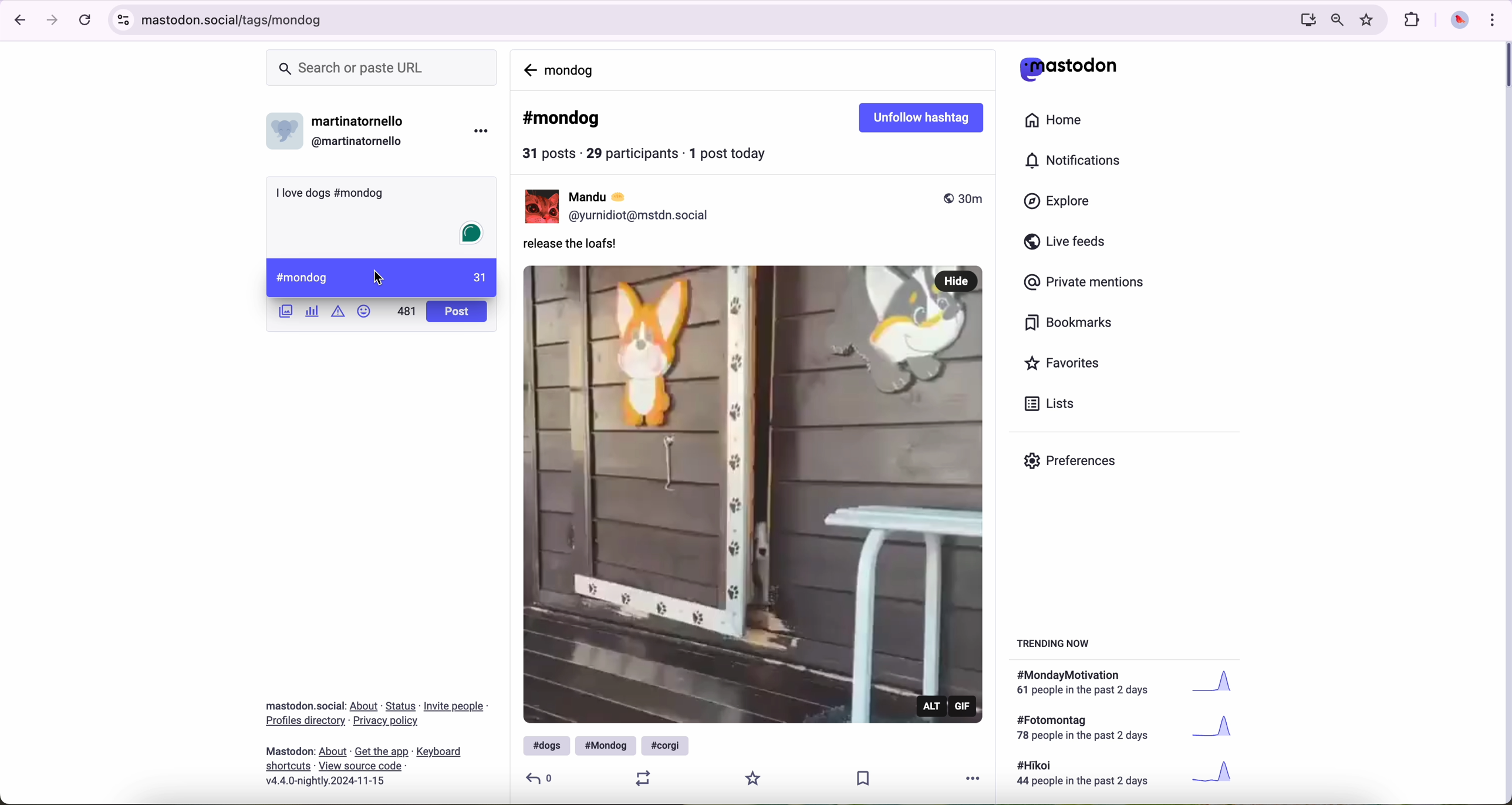 The width and height of the screenshot is (1512, 805). Describe the element at coordinates (1089, 775) in the screenshot. I see `text` at that location.